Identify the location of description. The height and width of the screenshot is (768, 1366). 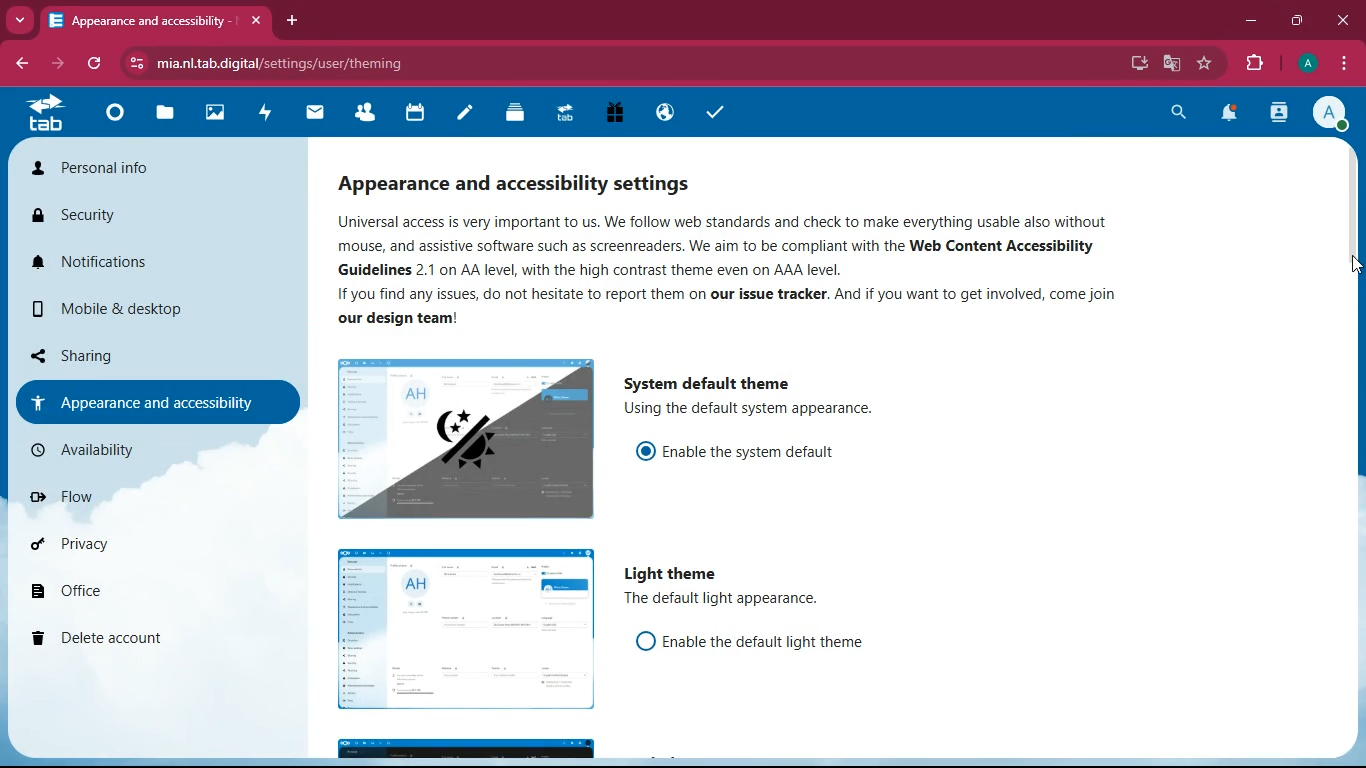
(726, 270).